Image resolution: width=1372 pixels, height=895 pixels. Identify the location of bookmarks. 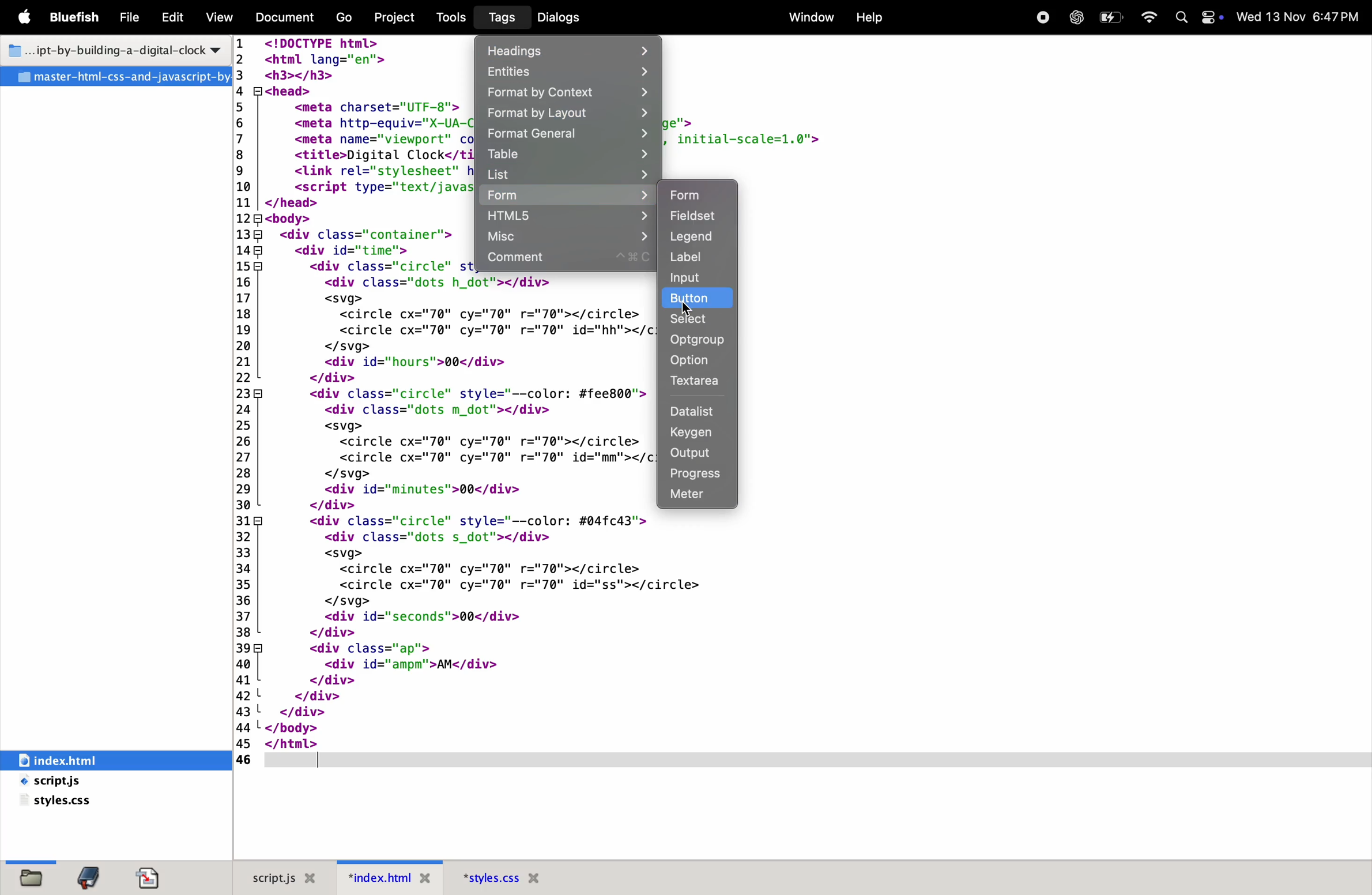
(90, 877).